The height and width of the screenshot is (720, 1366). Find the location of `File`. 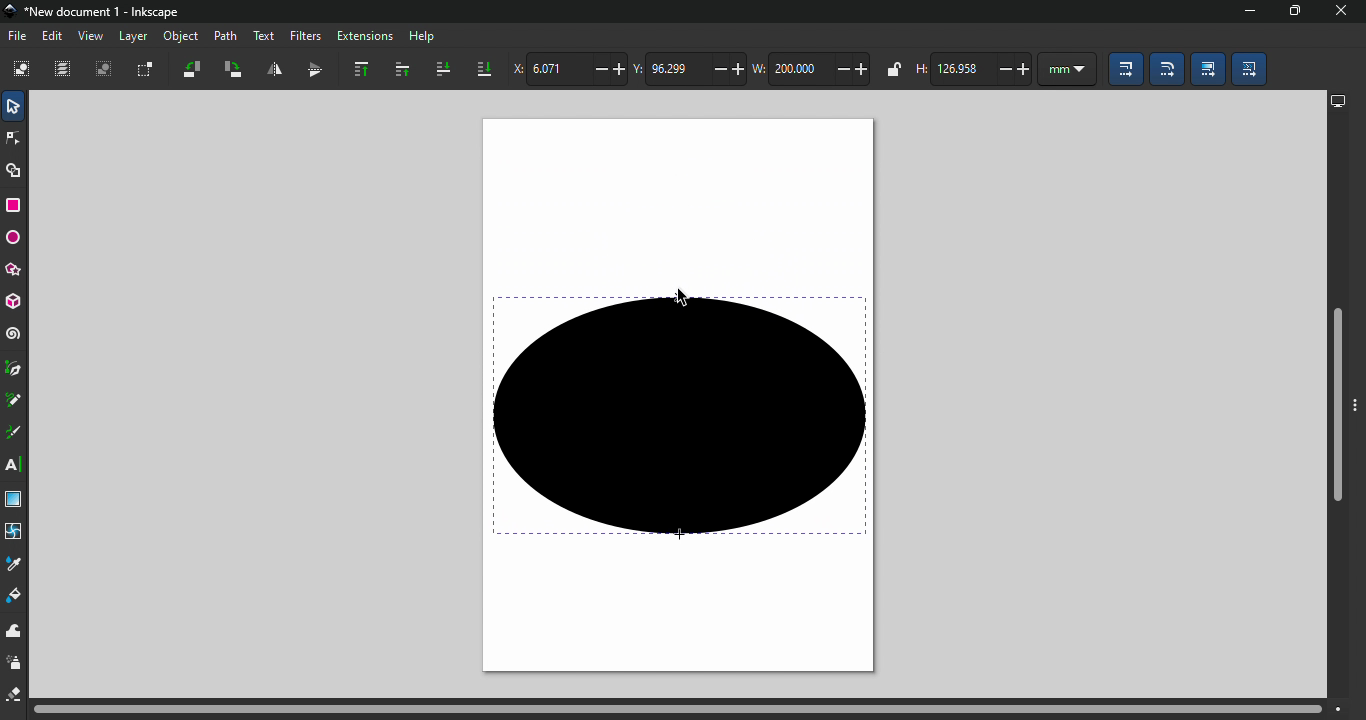

File is located at coordinates (17, 37).